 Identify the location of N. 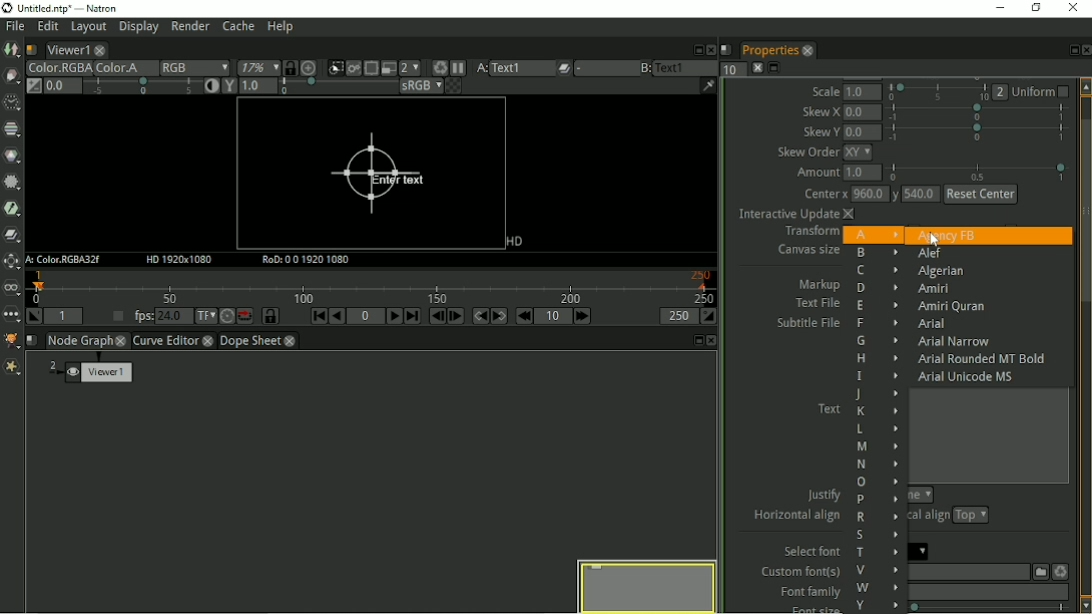
(876, 464).